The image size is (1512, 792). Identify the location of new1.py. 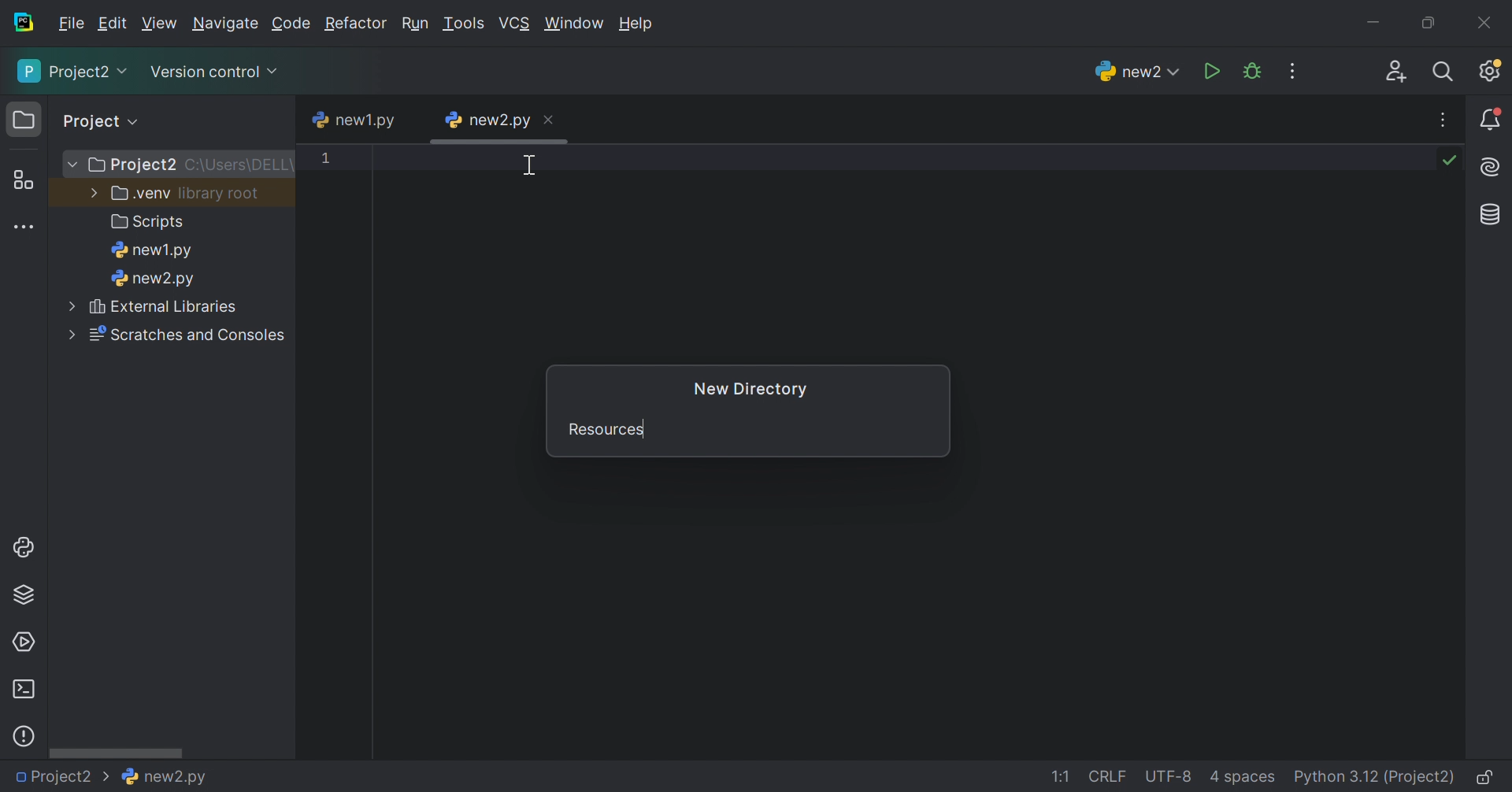
(353, 121).